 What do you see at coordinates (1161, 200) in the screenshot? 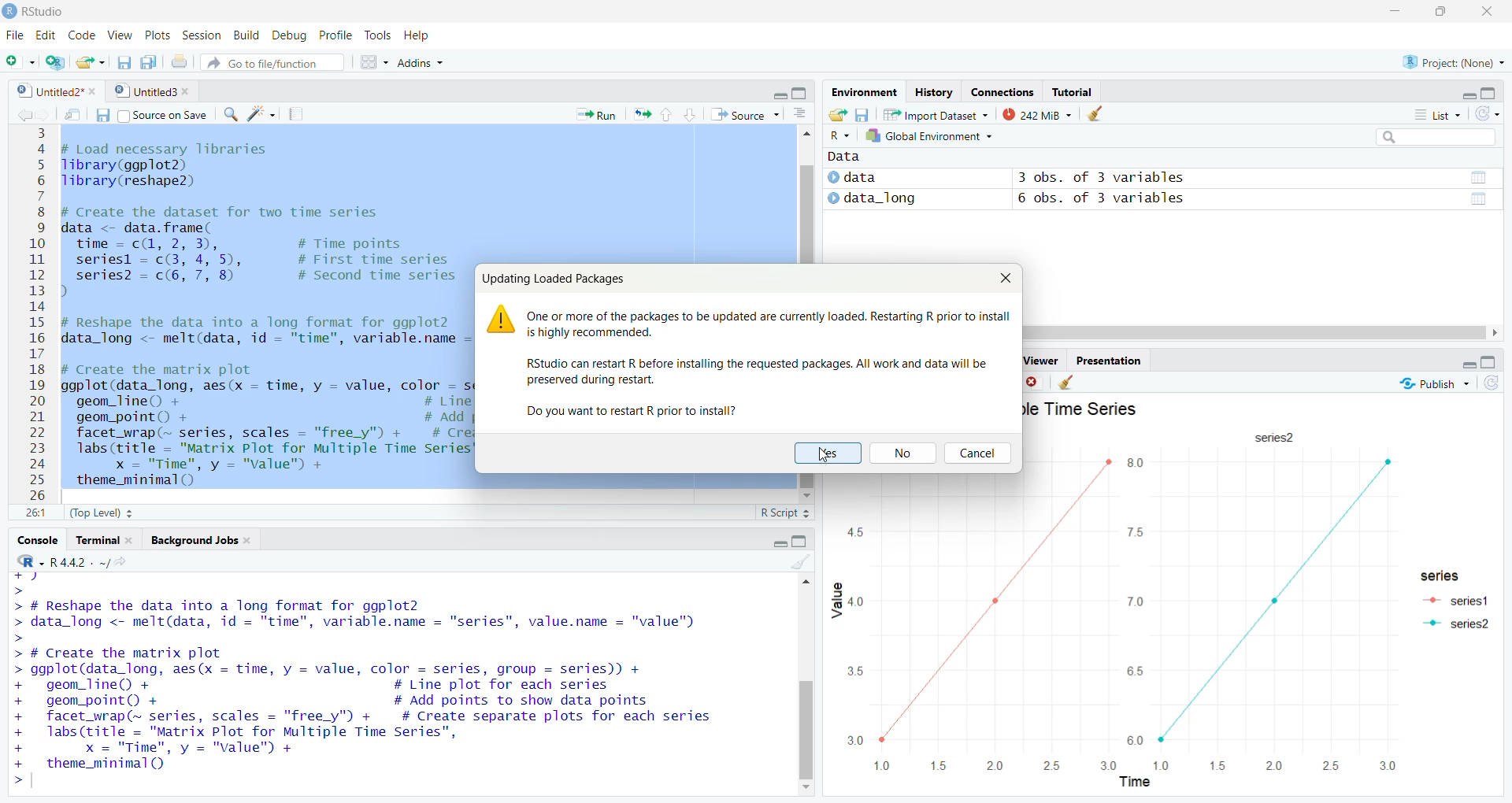
I see `© data_long 6 obs. of 3 variables` at bounding box center [1161, 200].